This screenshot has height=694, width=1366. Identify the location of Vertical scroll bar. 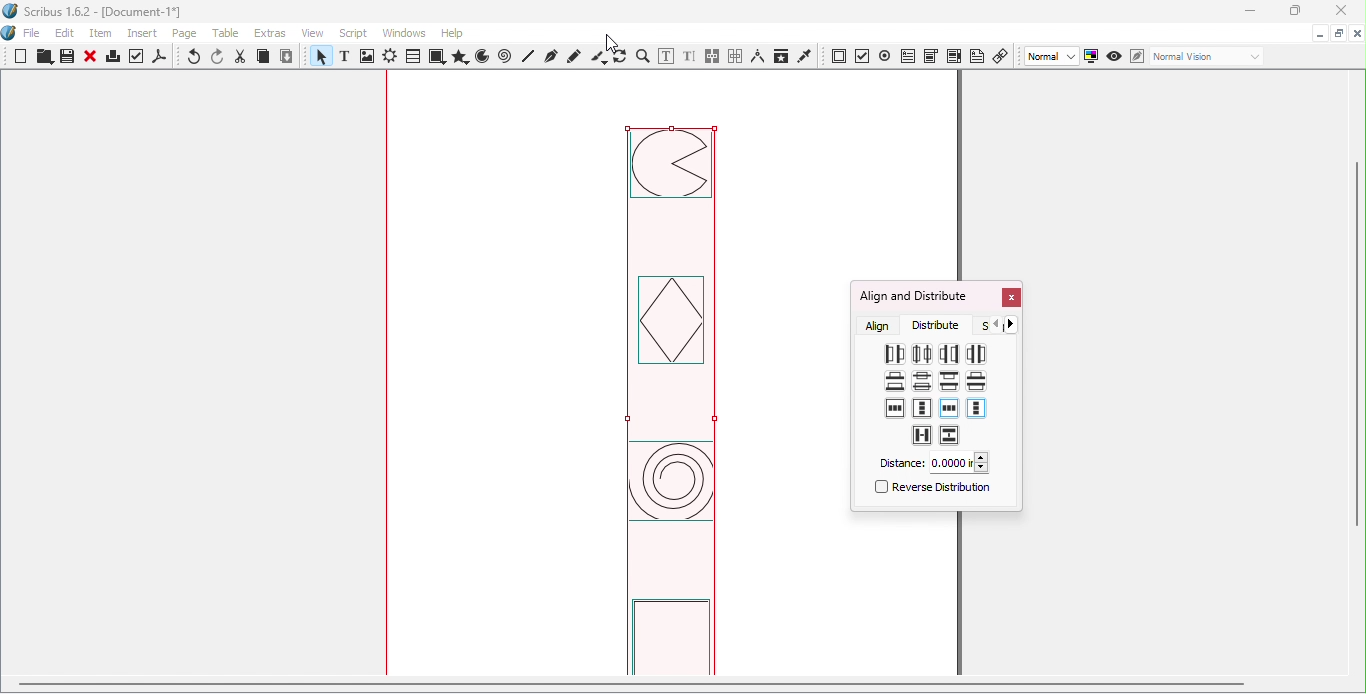
(1358, 375).